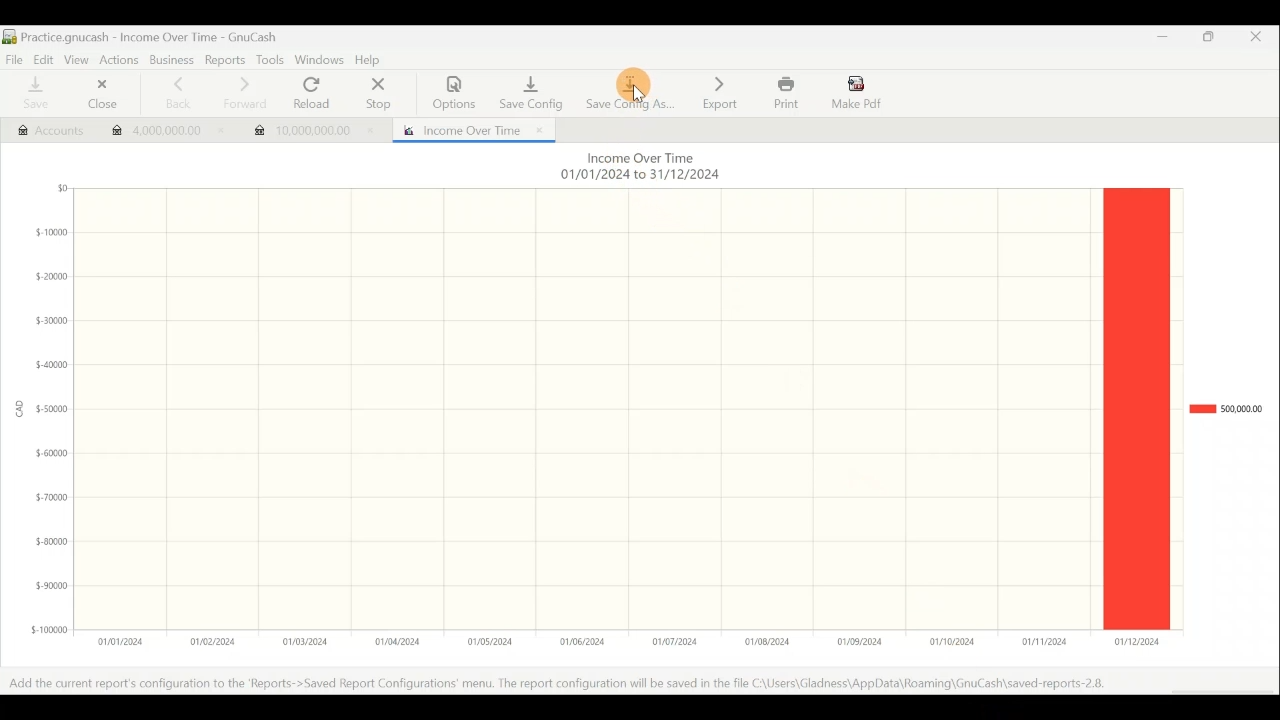  I want to click on Imported transaction 2, so click(312, 126).